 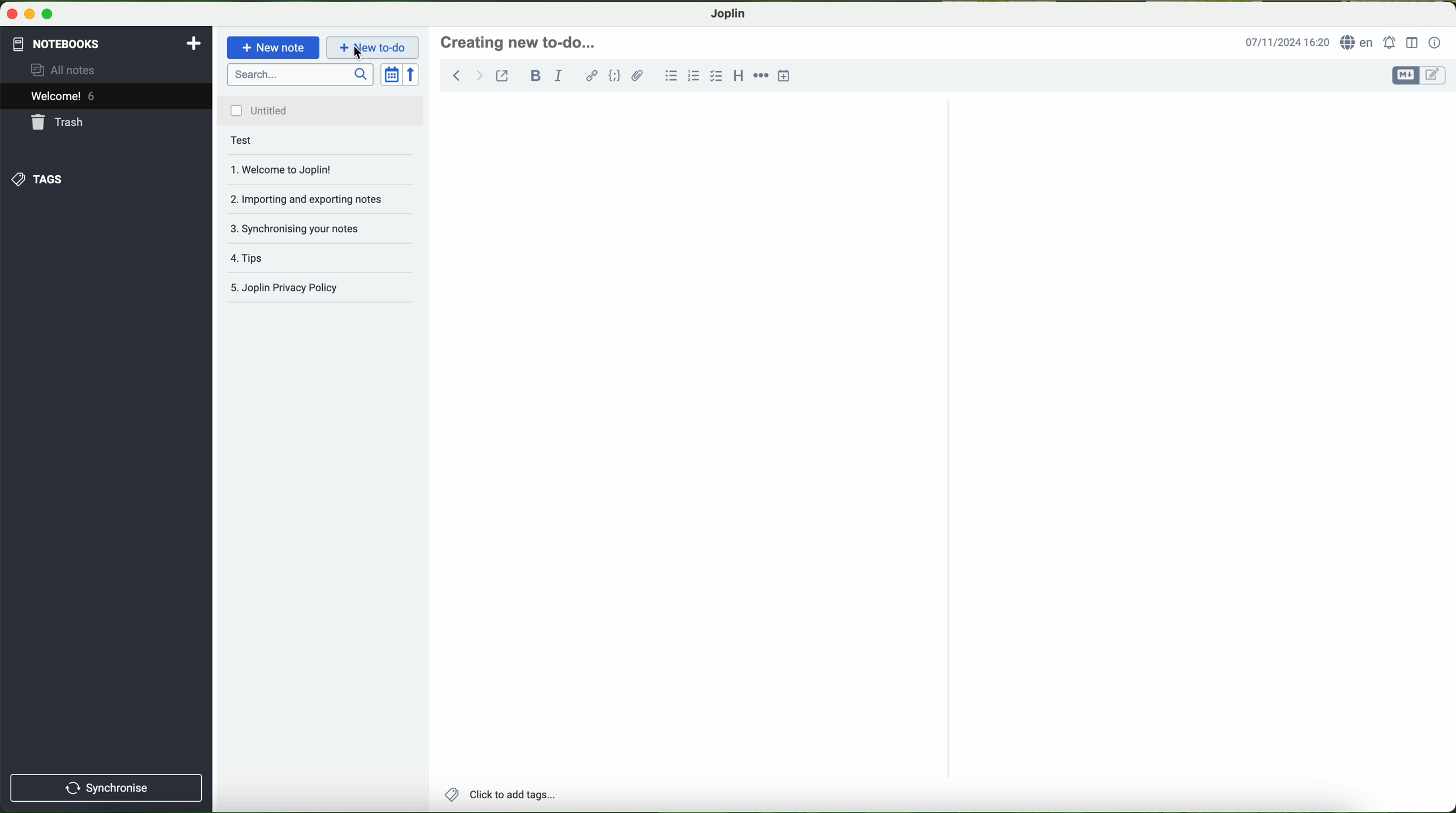 I want to click on welcome to Joplin, so click(x=297, y=169).